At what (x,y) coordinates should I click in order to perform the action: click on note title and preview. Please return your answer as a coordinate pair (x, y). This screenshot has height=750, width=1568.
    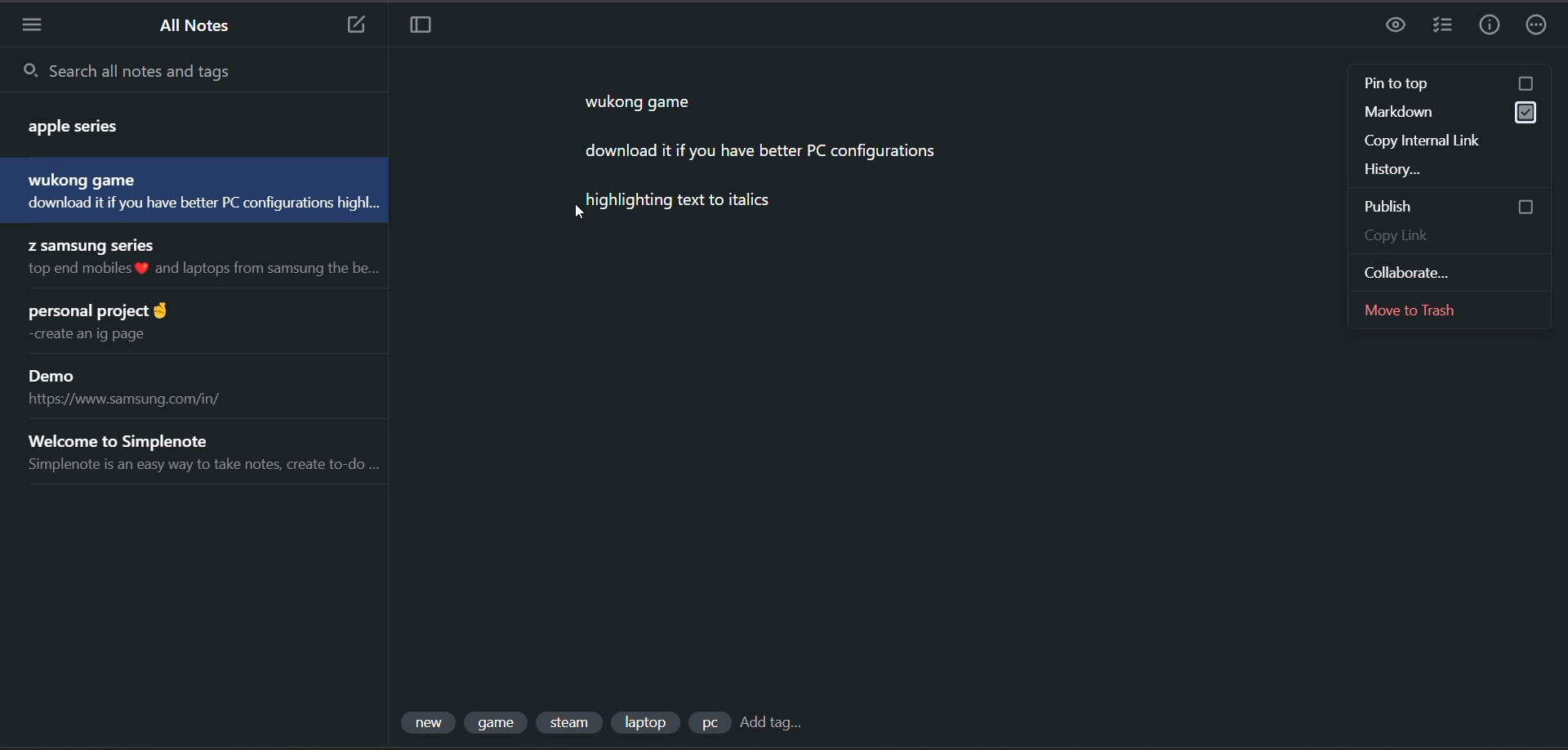
    Looking at the image, I should click on (209, 261).